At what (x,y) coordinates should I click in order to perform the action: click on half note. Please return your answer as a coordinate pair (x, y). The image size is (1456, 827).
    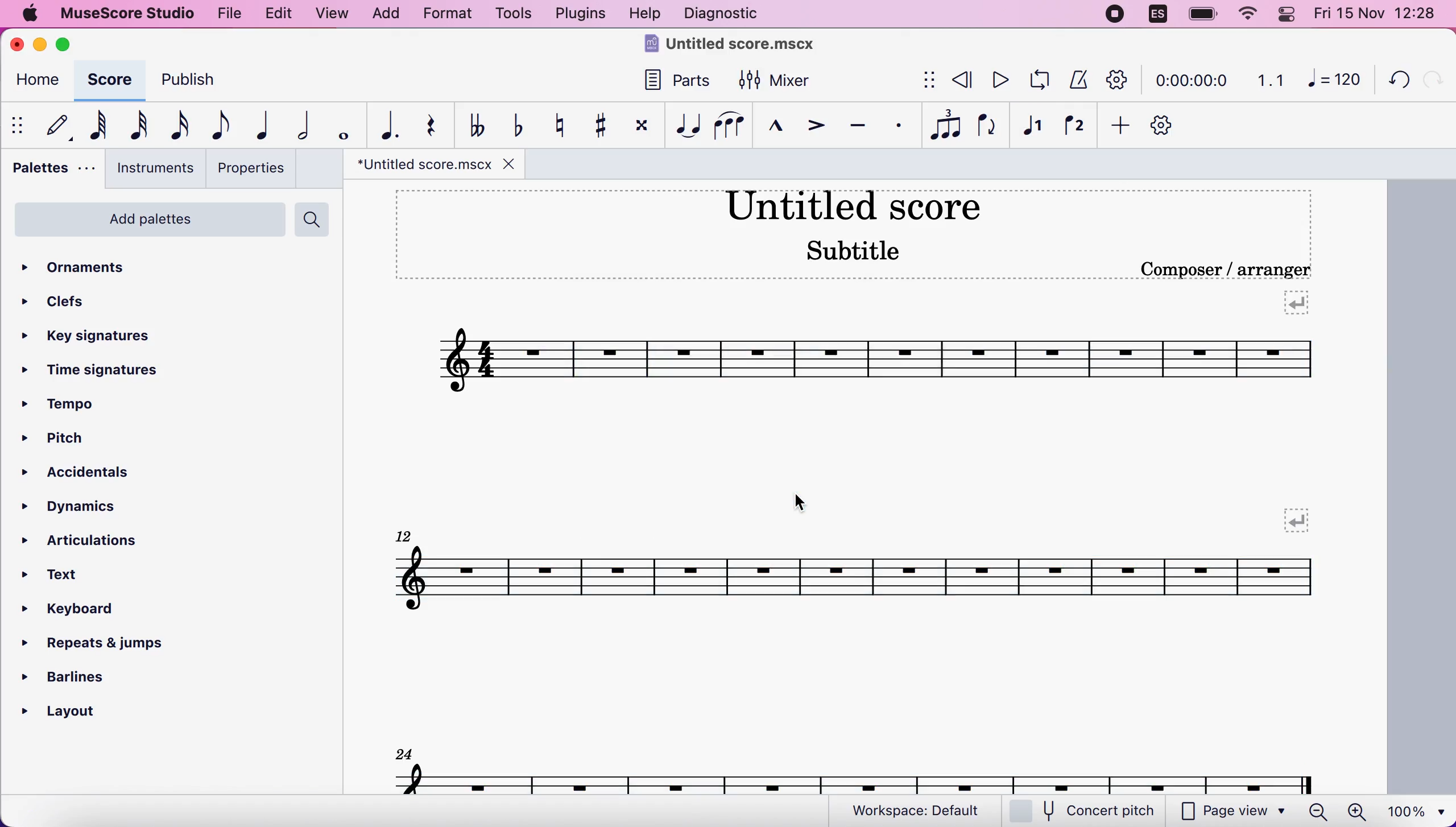
    Looking at the image, I should click on (296, 126).